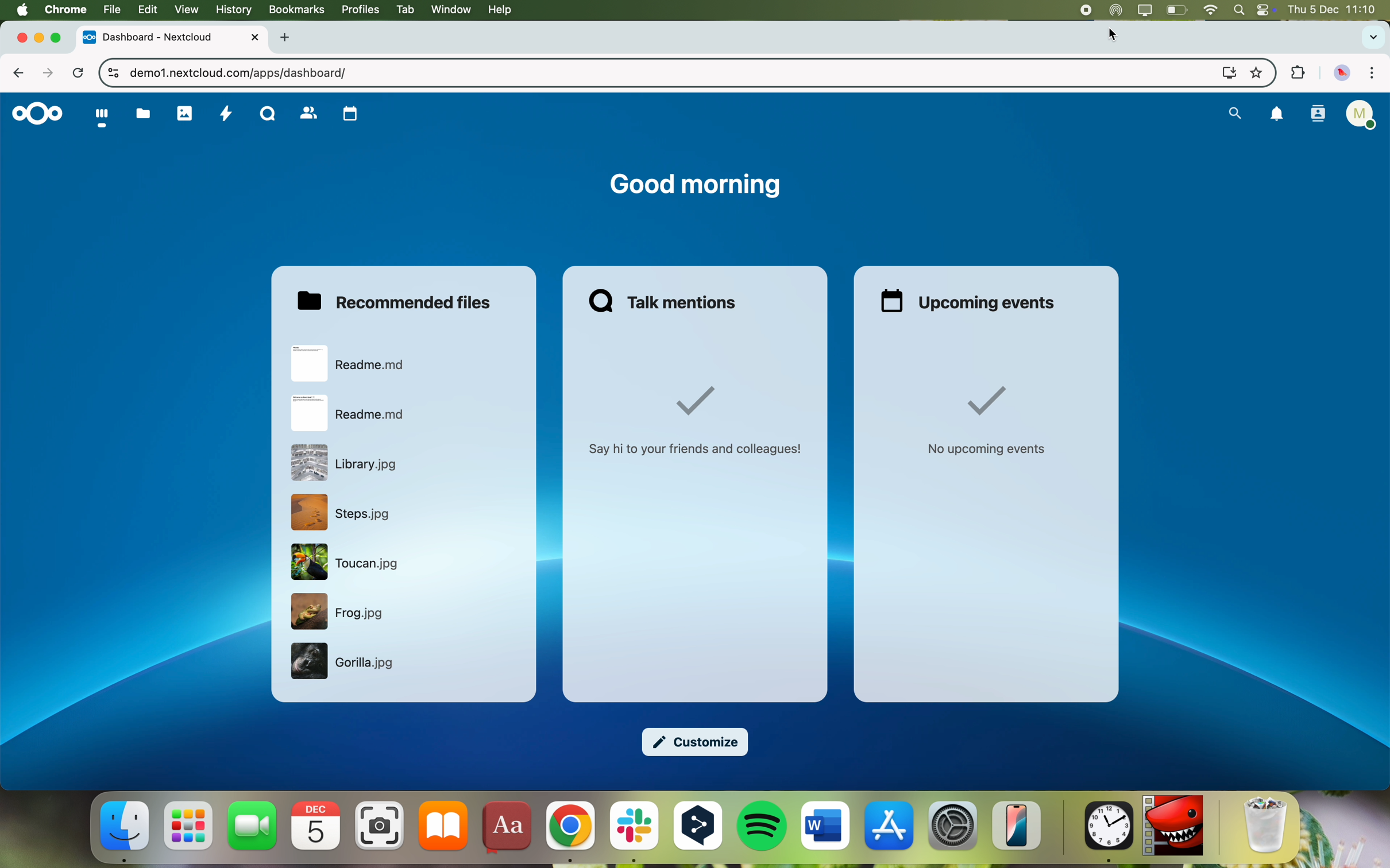  What do you see at coordinates (65, 9) in the screenshot?
I see `Chrome` at bounding box center [65, 9].